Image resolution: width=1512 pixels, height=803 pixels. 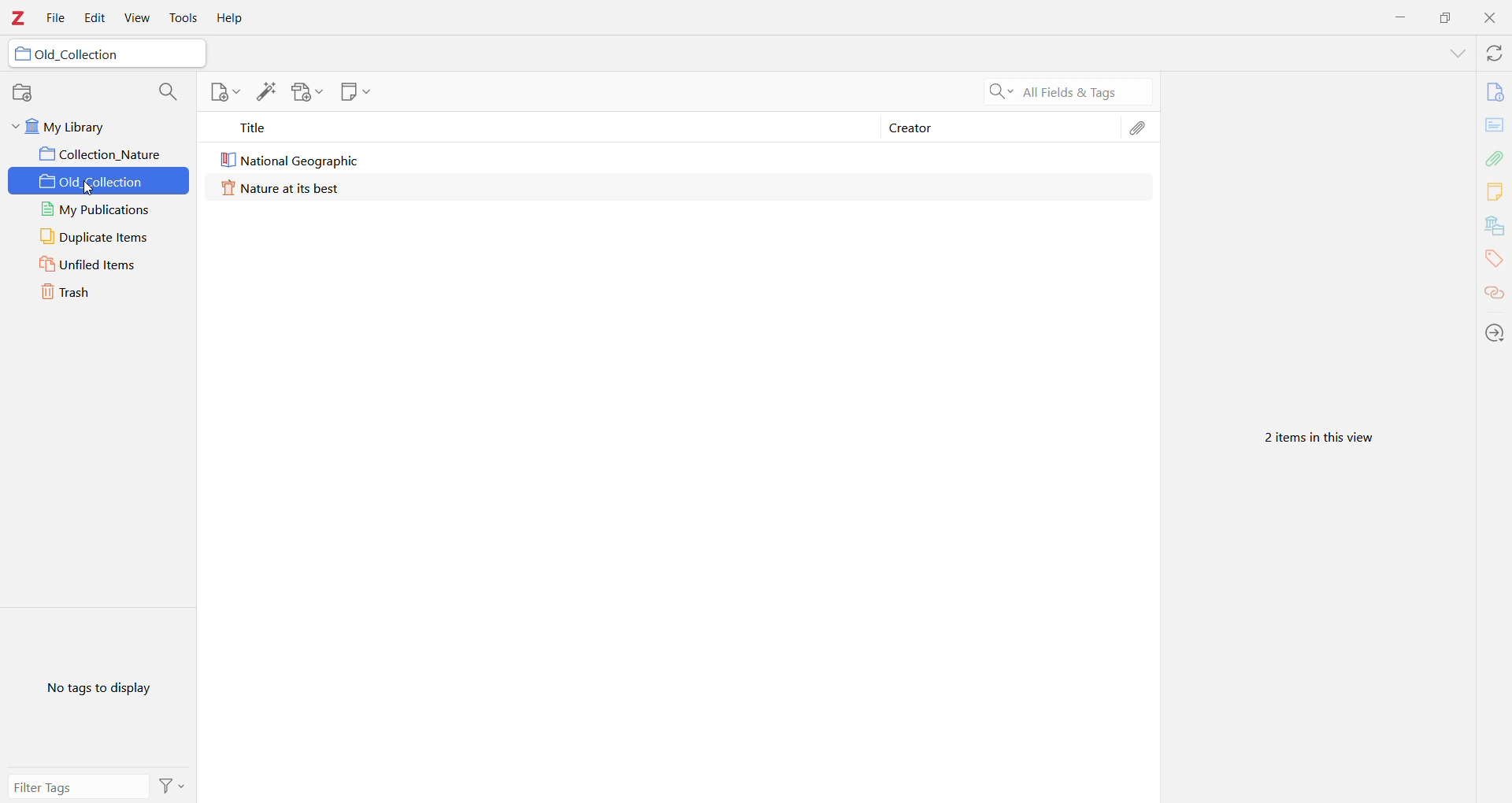 I want to click on Attachments, so click(x=1141, y=128).